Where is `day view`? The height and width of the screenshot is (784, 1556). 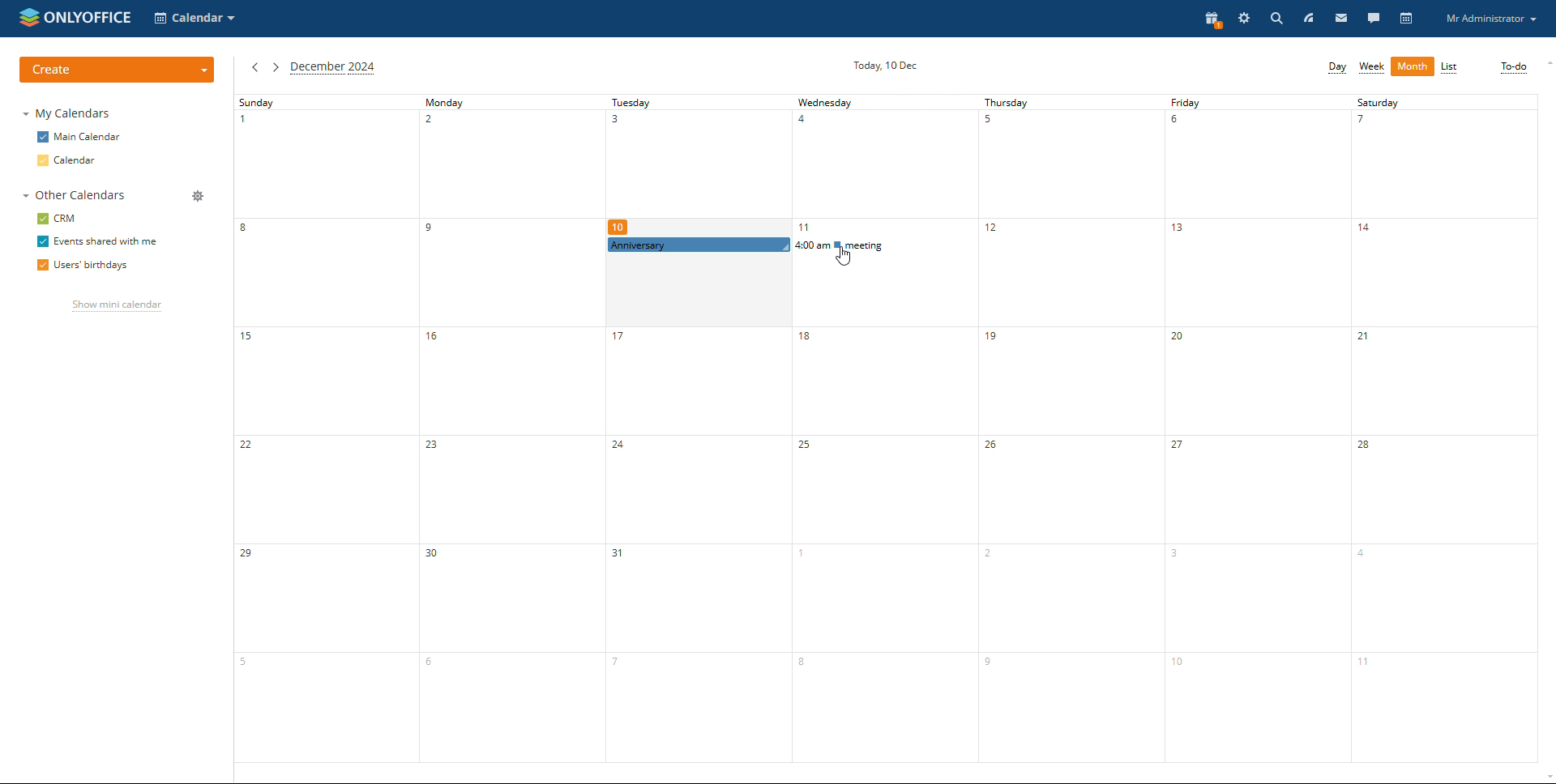
day view is located at coordinates (1337, 67).